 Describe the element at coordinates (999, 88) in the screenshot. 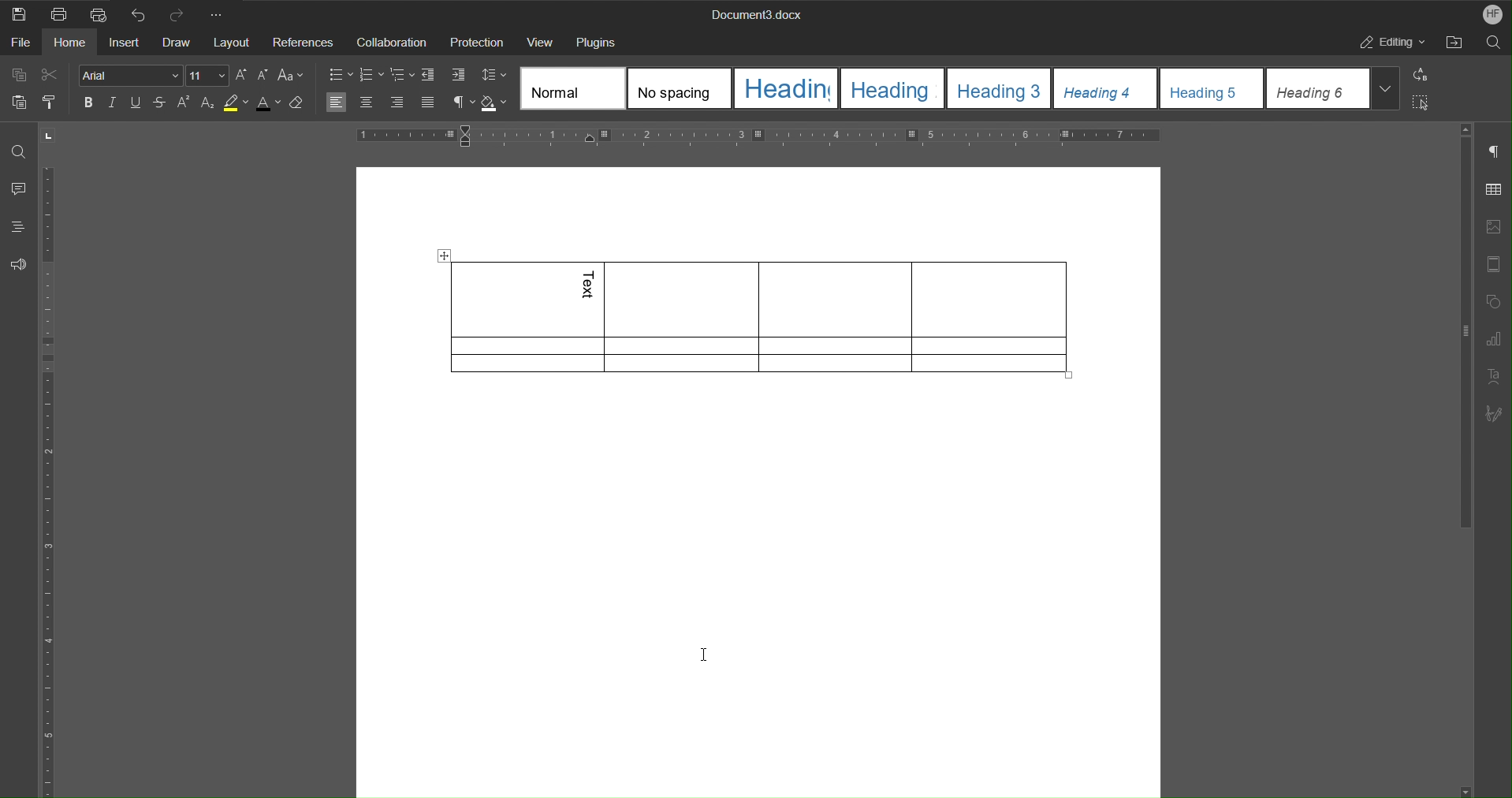

I see `Heading 3` at that location.